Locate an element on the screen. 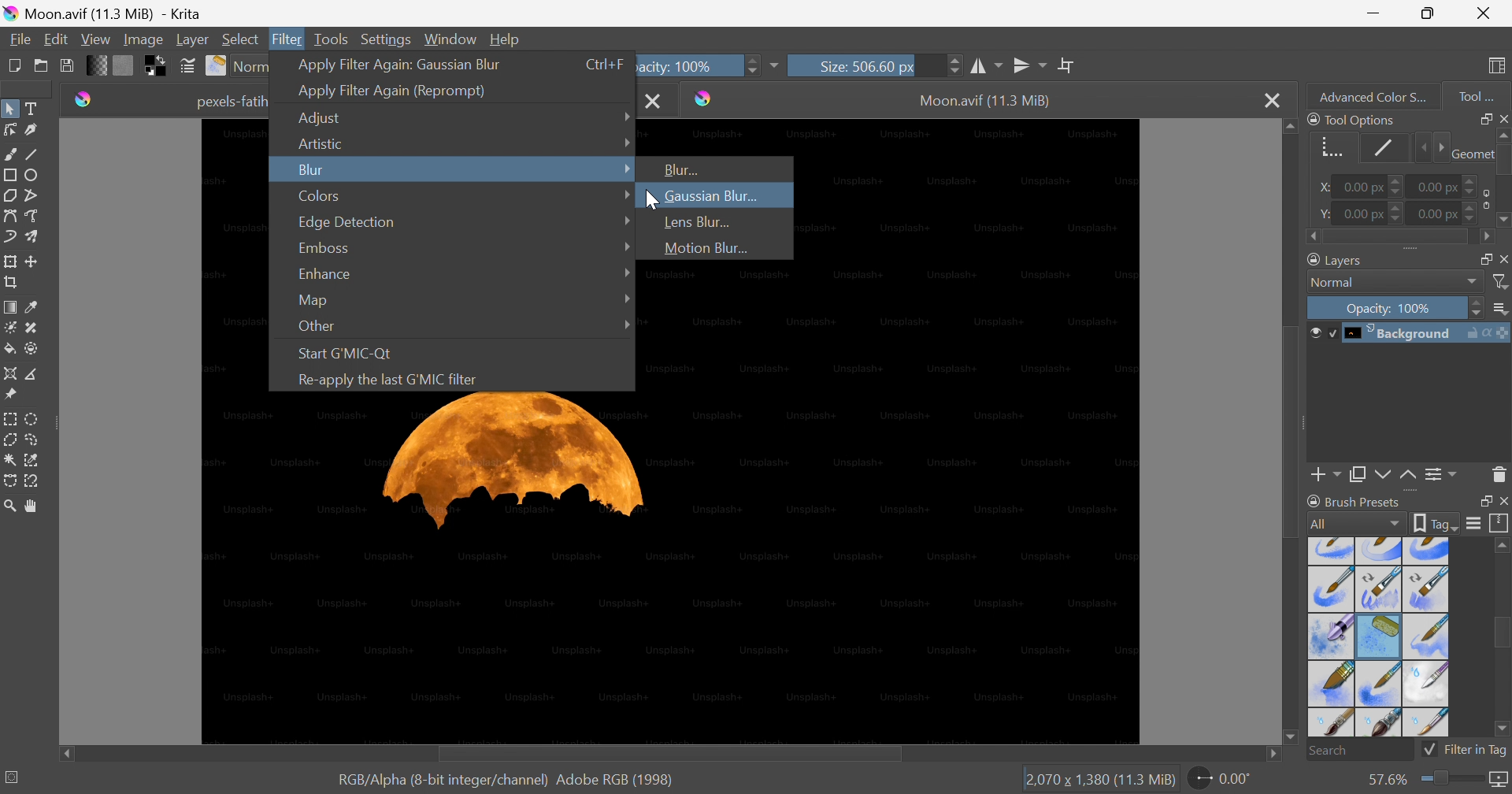 The image size is (1512, 794). Fill a contiguous area of color with a color or a fill selection is located at coordinates (10, 348).